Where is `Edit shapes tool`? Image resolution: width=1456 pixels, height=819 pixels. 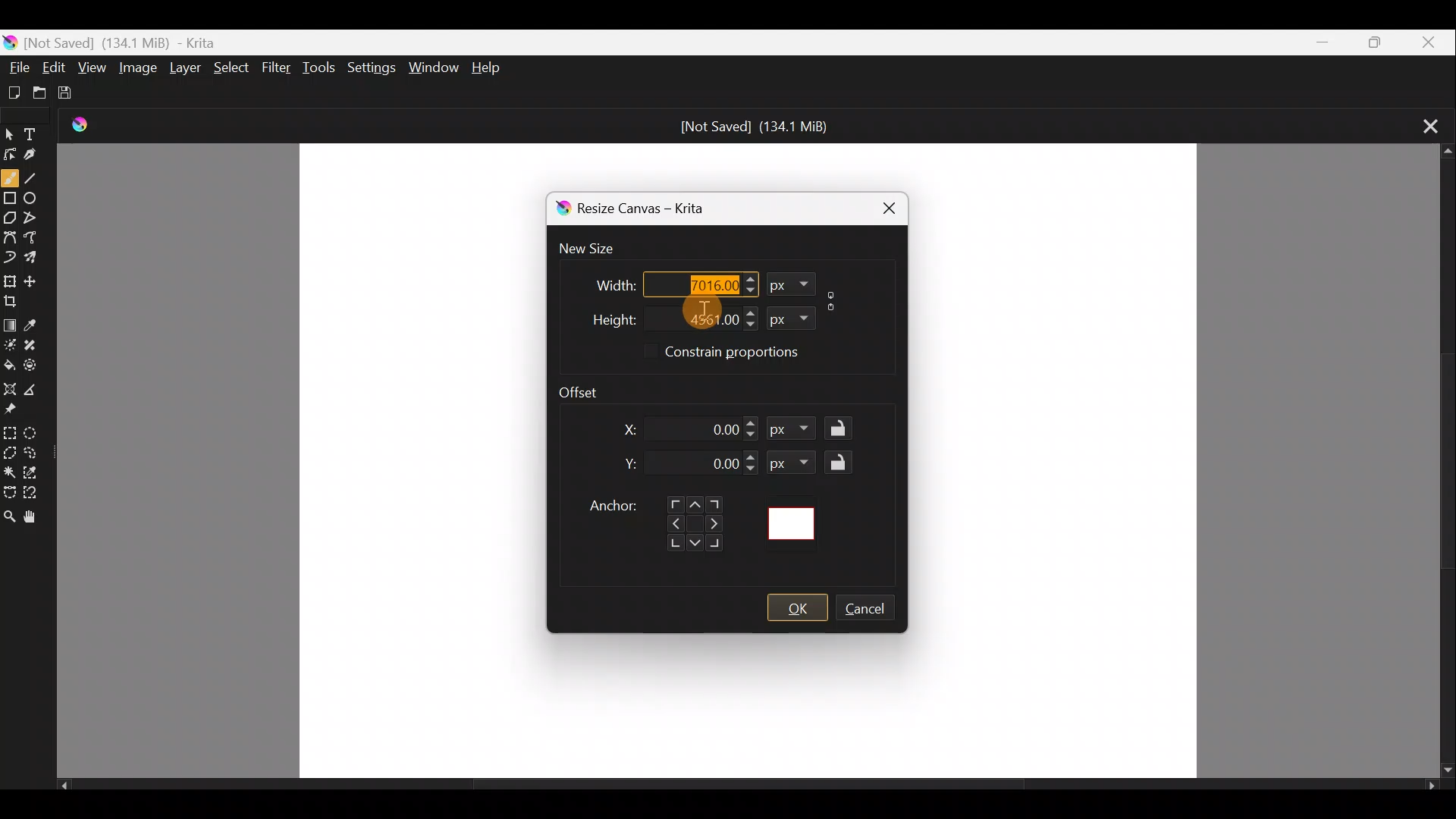
Edit shapes tool is located at coordinates (11, 153).